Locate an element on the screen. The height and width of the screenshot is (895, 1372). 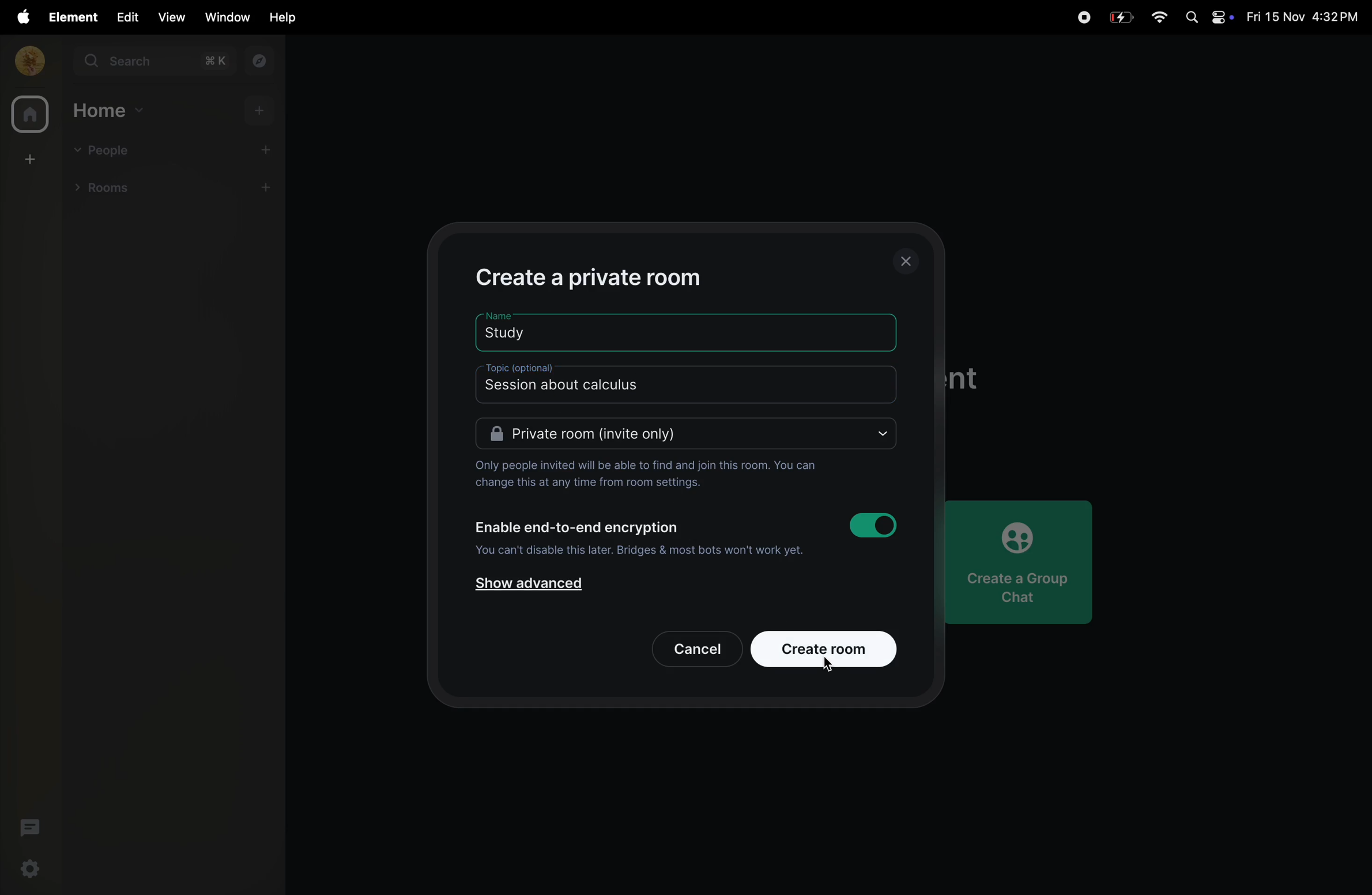
home is located at coordinates (27, 114).